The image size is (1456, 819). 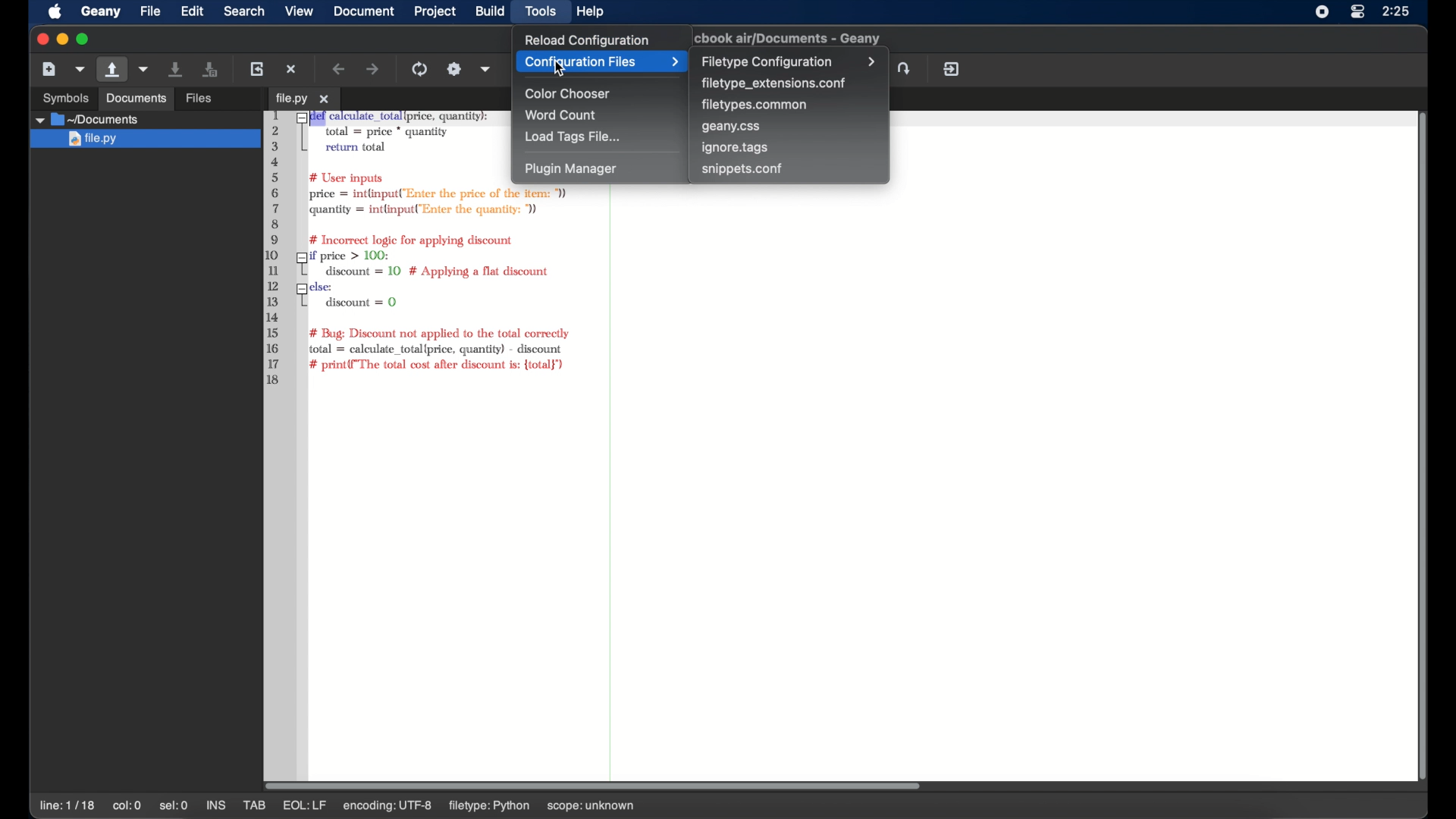 What do you see at coordinates (193, 11) in the screenshot?
I see `edit` at bounding box center [193, 11].